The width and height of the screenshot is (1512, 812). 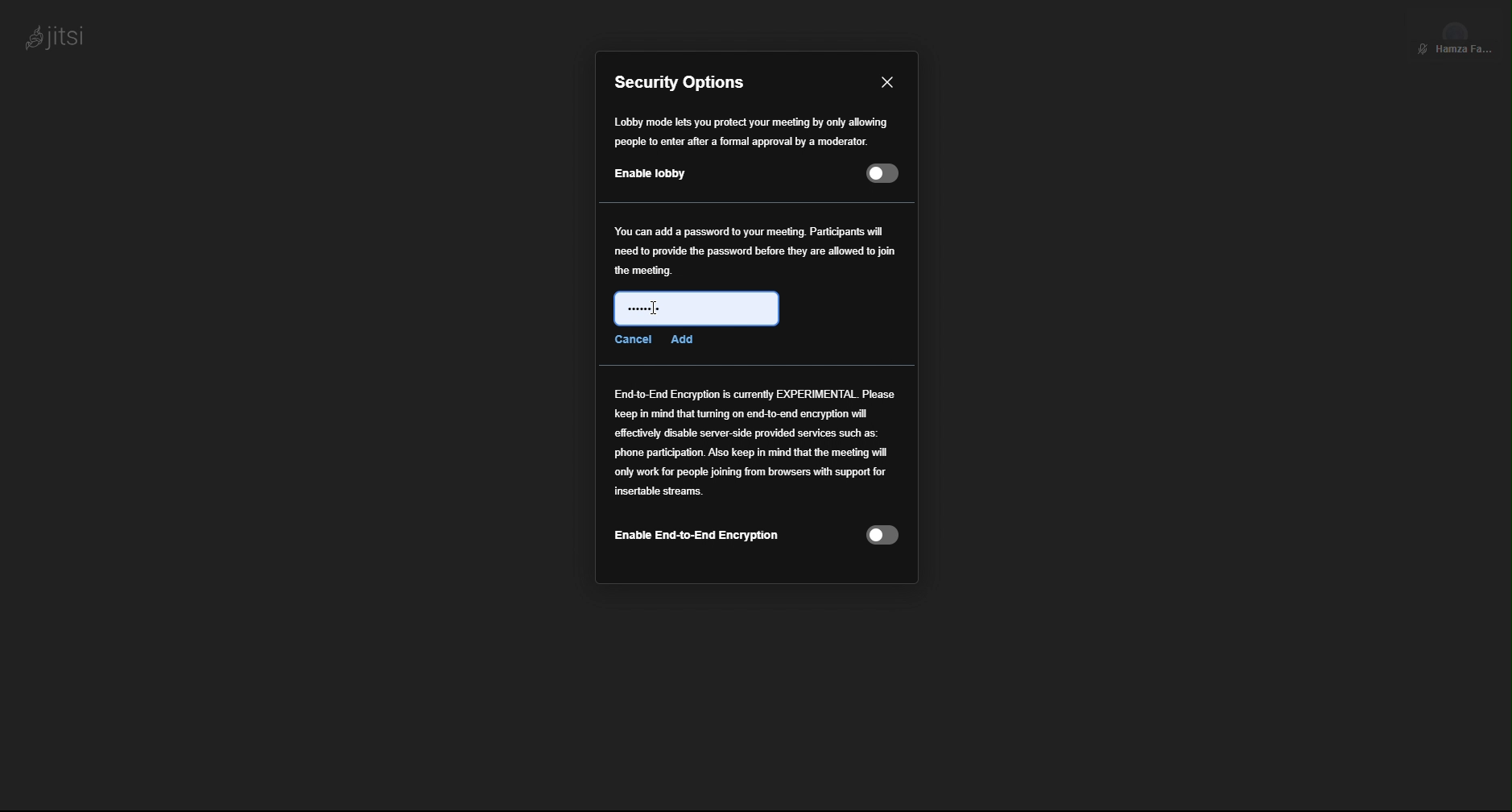 What do you see at coordinates (52, 34) in the screenshot?
I see `jitsi` at bounding box center [52, 34].